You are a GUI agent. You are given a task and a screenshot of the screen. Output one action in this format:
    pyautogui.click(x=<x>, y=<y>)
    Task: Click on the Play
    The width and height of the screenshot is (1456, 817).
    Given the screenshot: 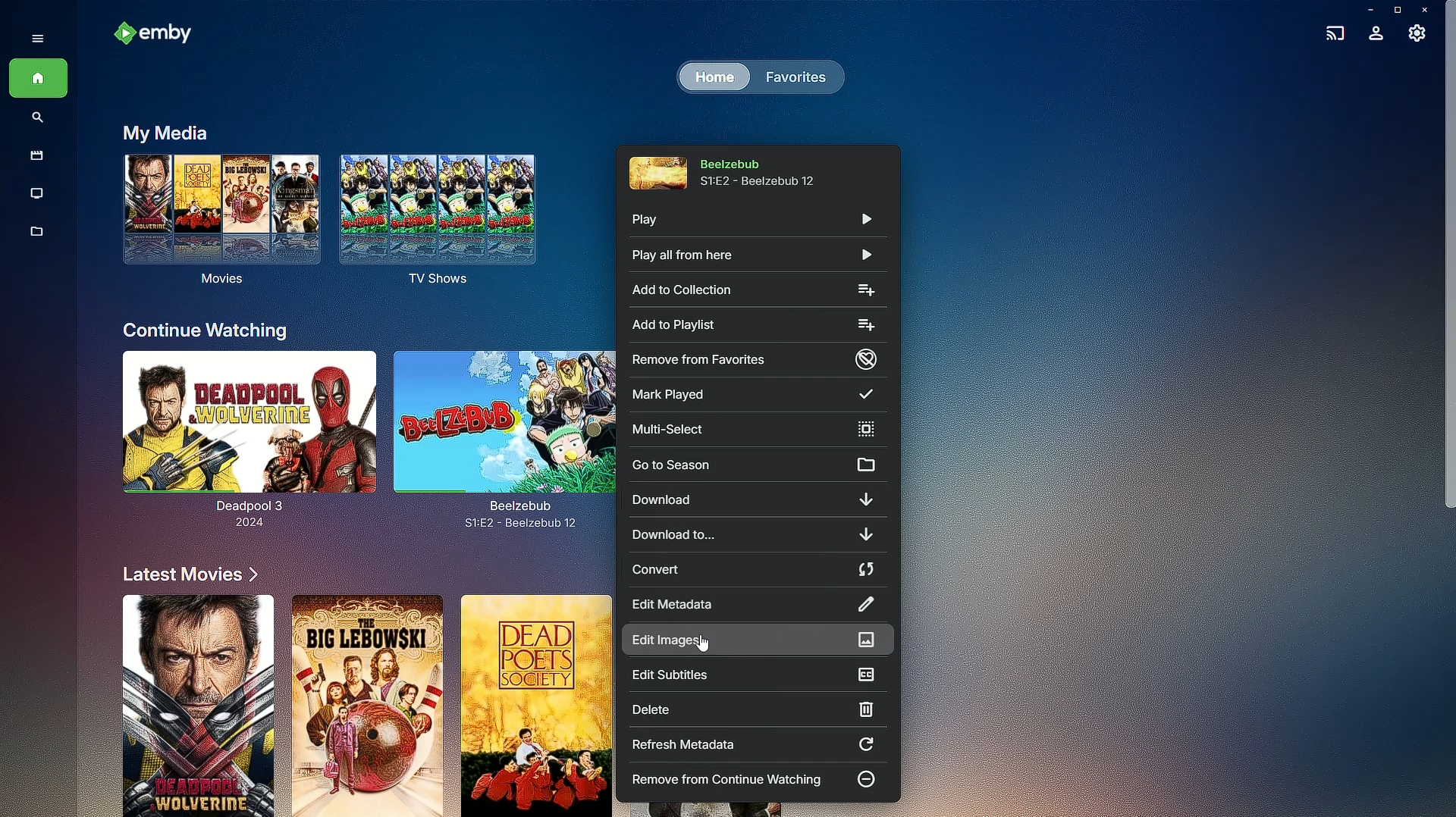 What is the action you would take?
    pyautogui.click(x=751, y=223)
    